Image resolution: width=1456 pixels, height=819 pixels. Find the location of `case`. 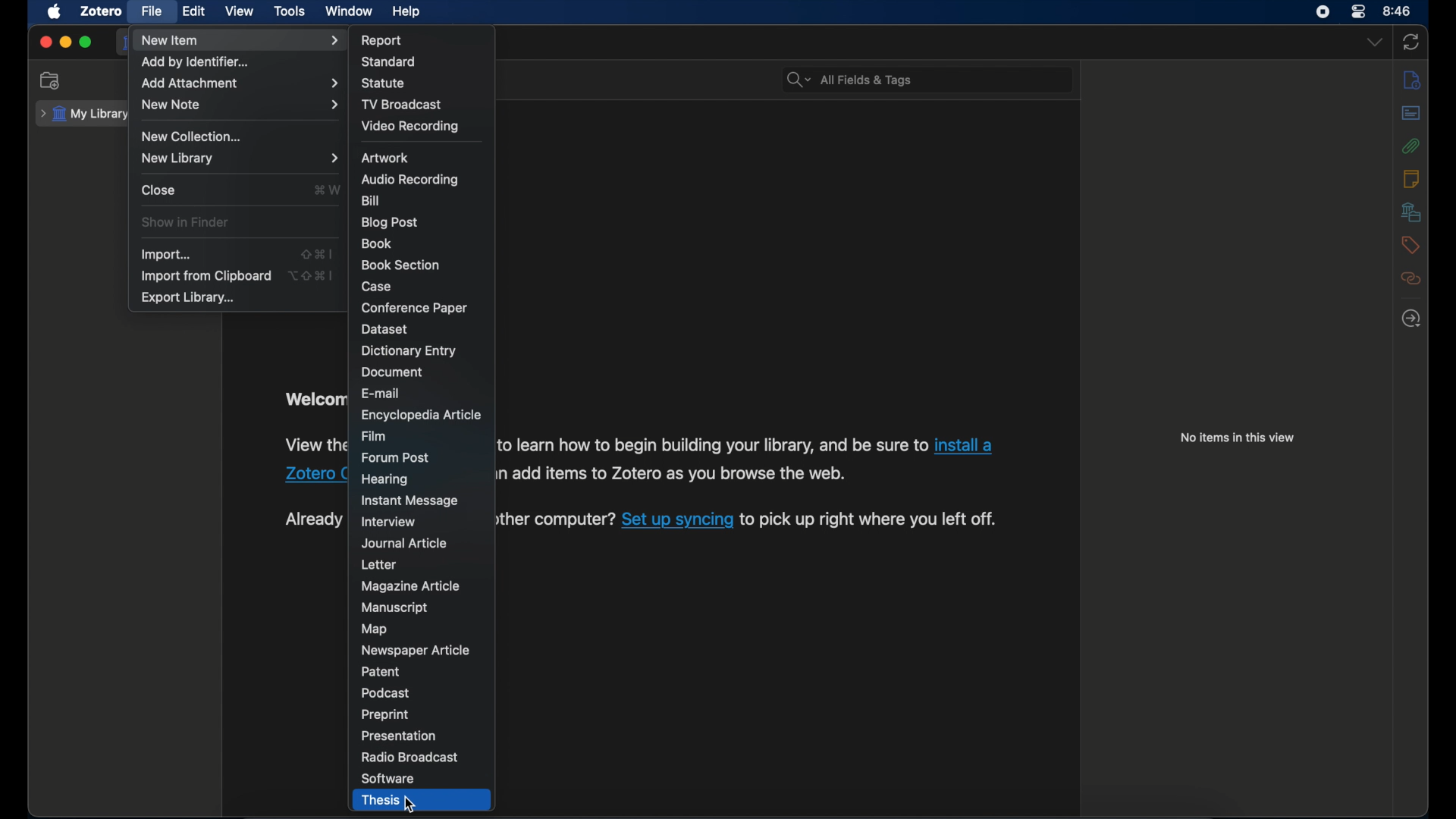

case is located at coordinates (376, 286).